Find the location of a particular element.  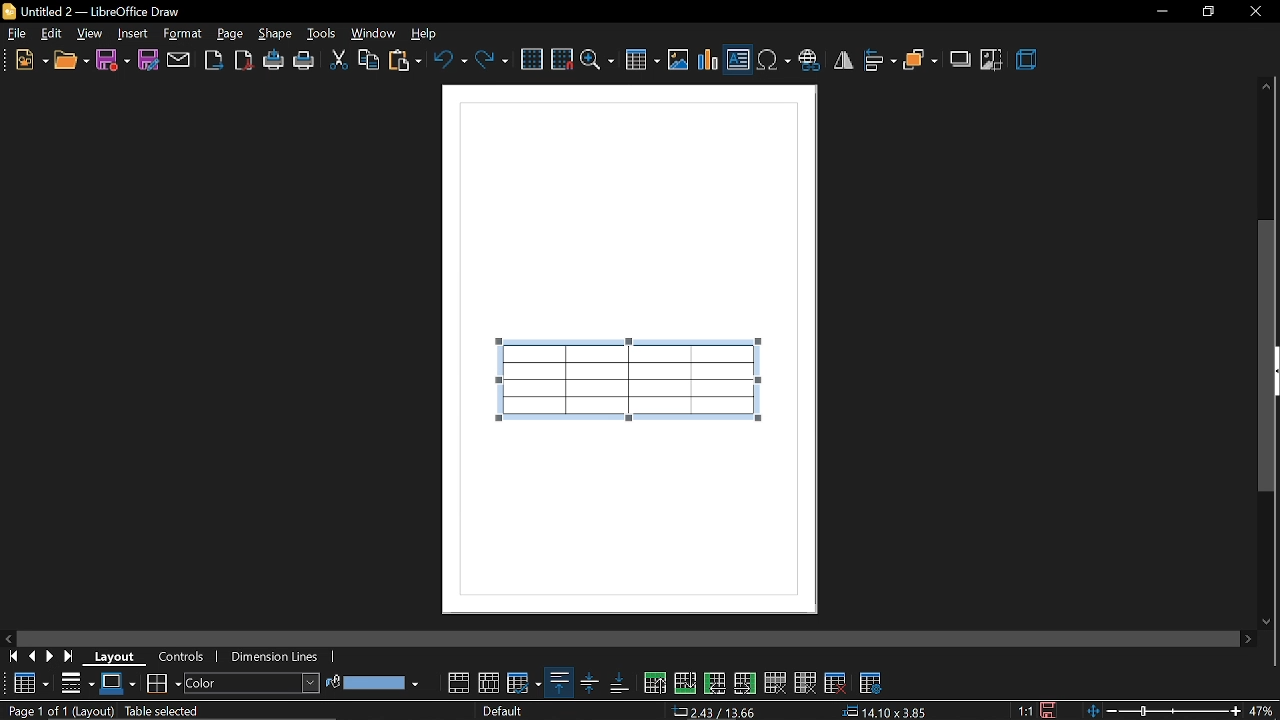

insert text is located at coordinates (739, 58).